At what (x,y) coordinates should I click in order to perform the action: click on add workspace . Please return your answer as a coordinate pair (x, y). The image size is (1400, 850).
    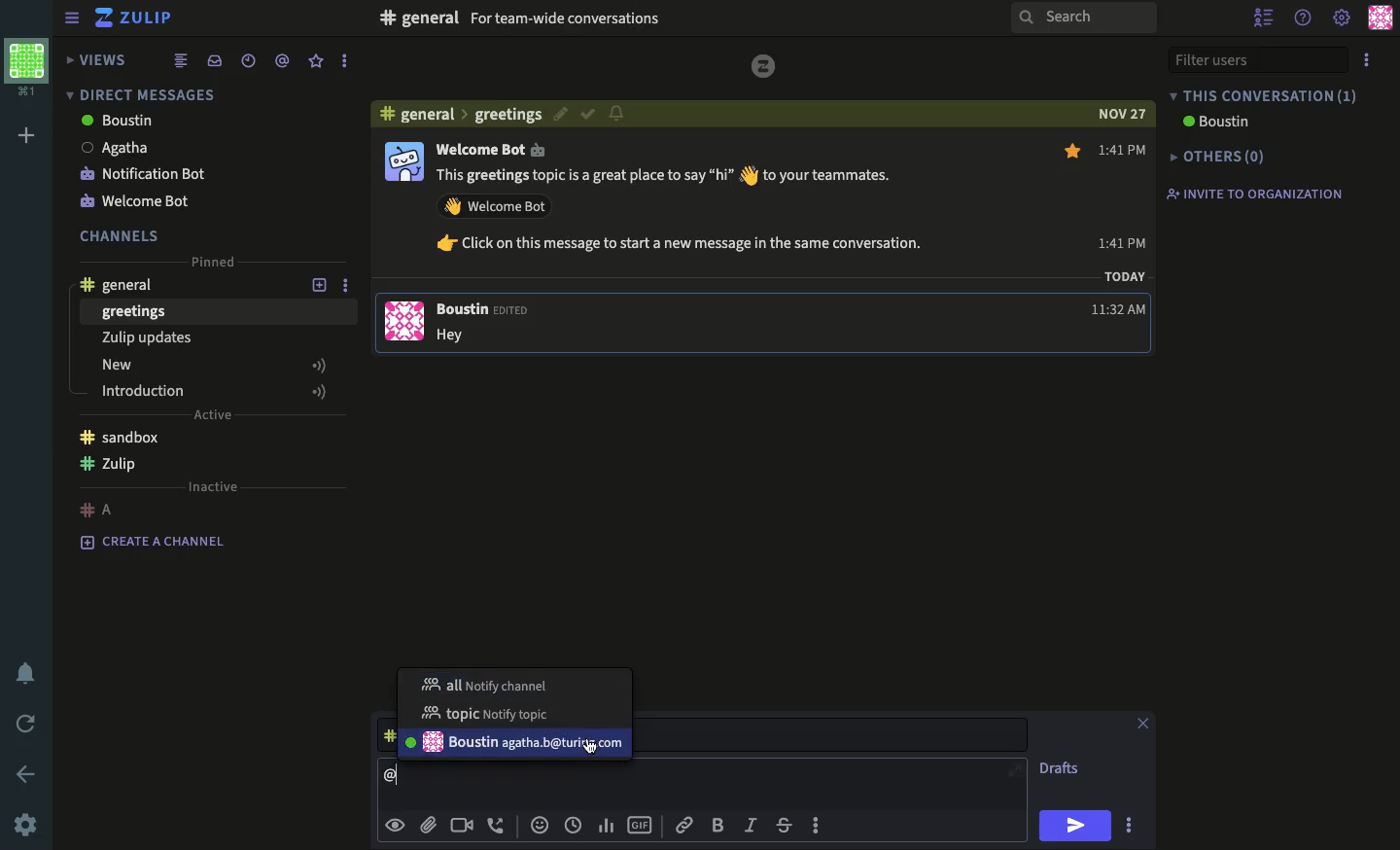
    Looking at the image, I should click on (28, 135).